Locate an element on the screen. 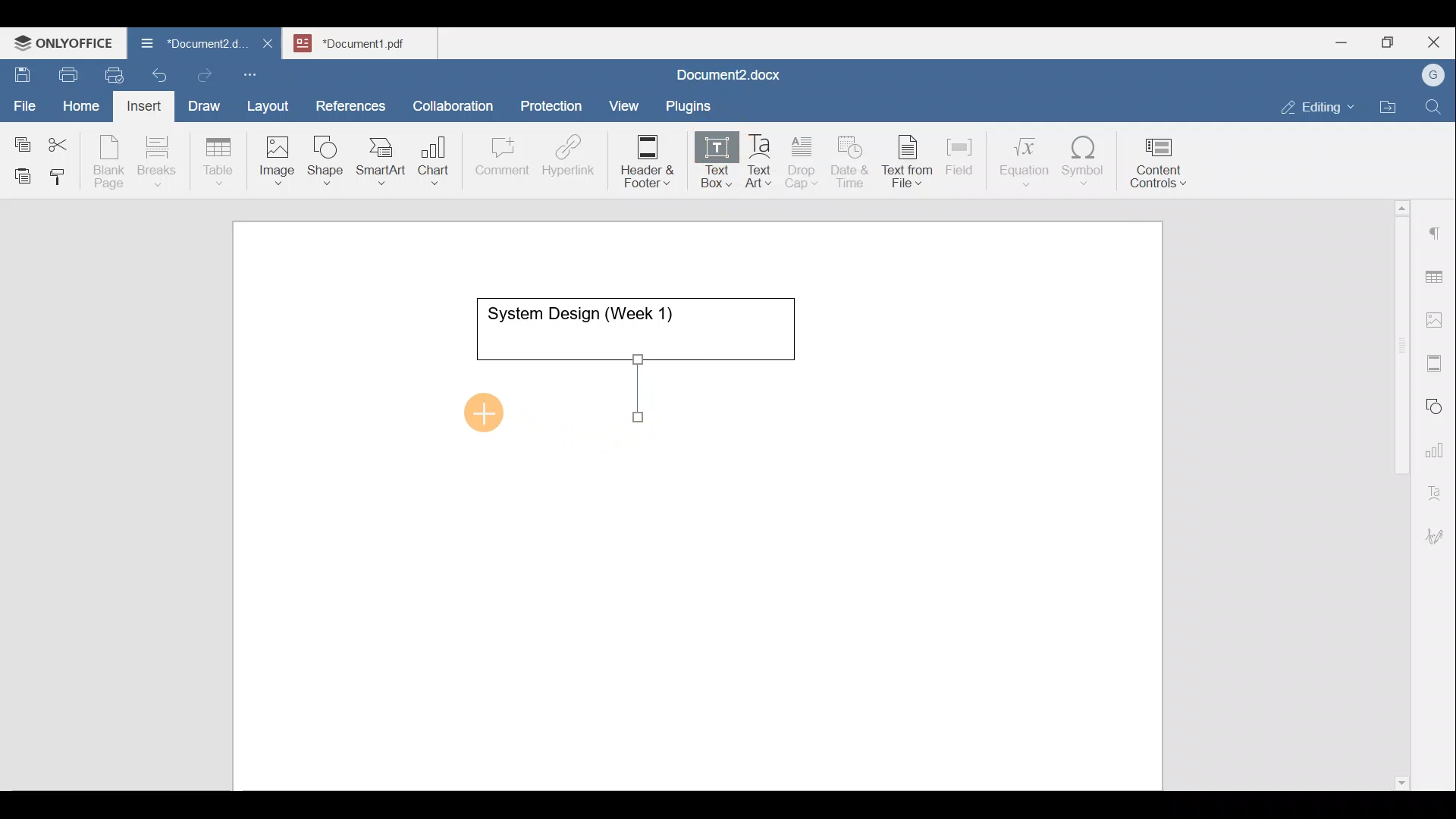  Drop cap is located at coordinates (805, 160).